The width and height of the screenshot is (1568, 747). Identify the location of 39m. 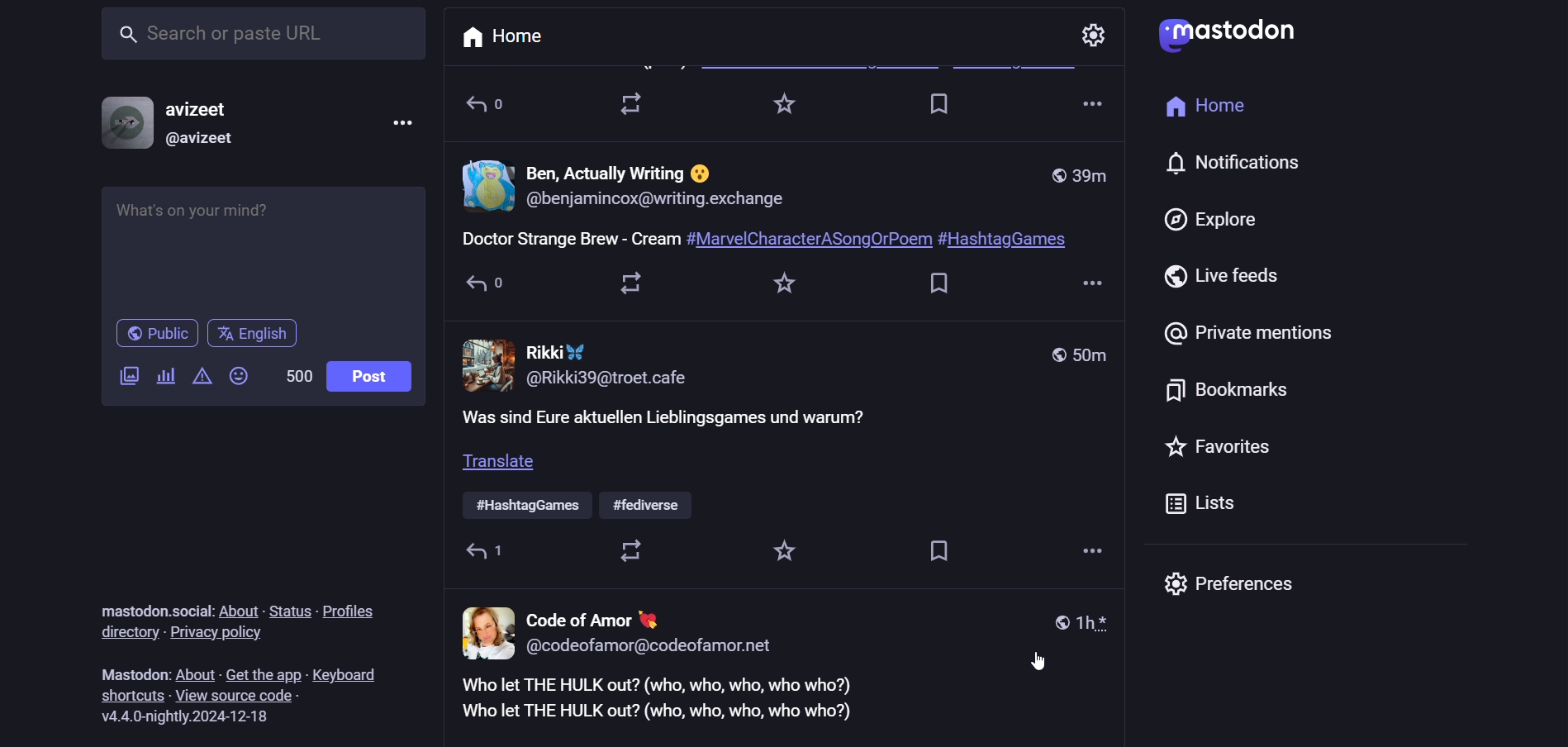
(1080, 174).